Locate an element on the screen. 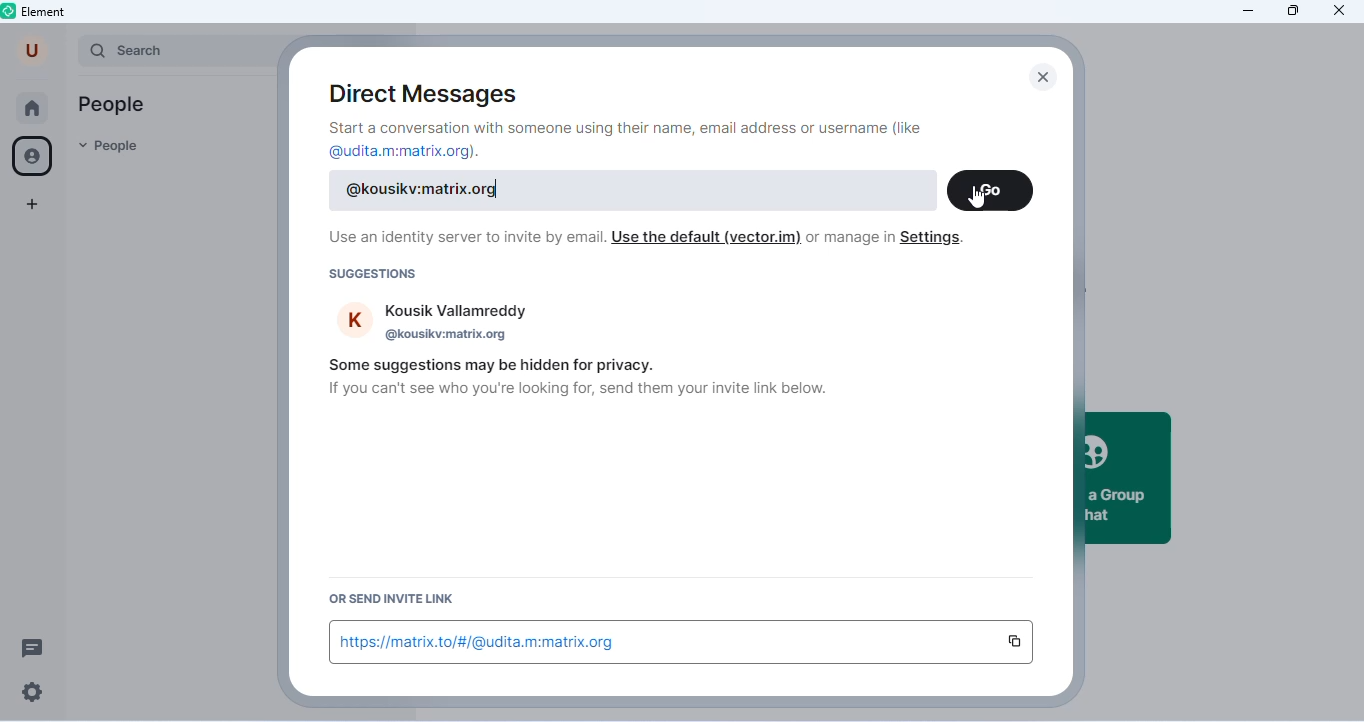 This screenshot has height=722, width=1364. account is located at coordinates (33, 50).